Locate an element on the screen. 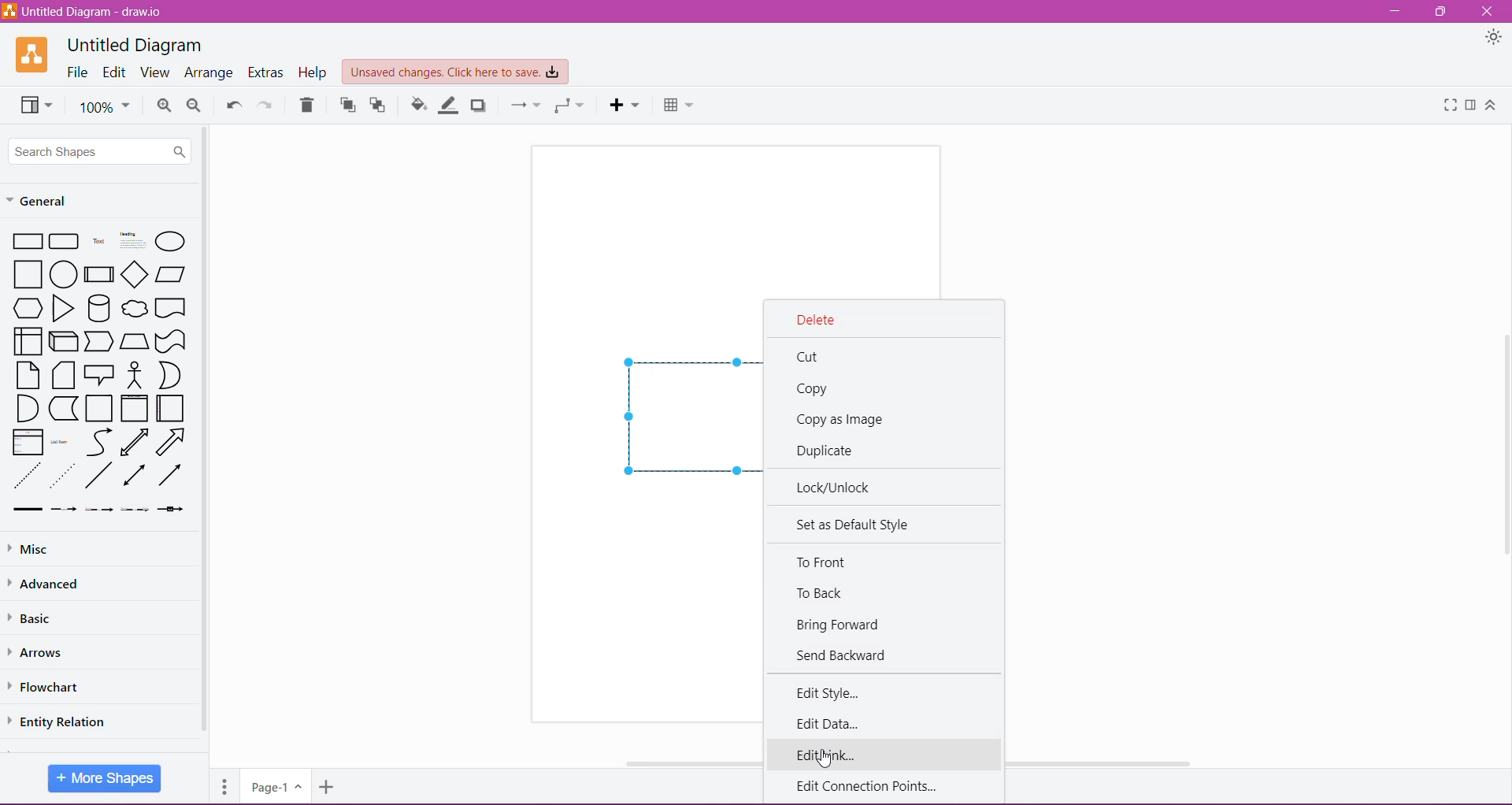 The image size is (1512, 805). Application Logo is located at coordinates (31, 54).